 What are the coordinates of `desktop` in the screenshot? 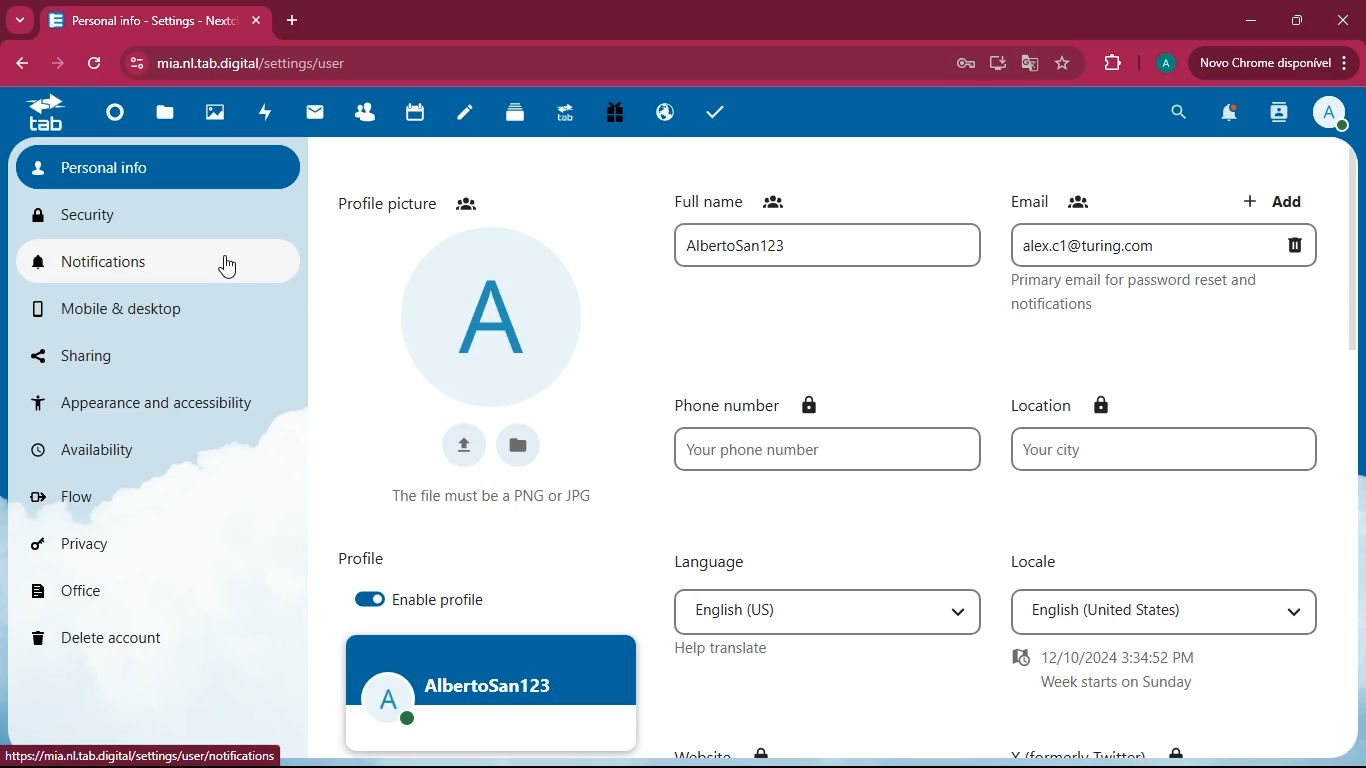 It's located at (992, 64).